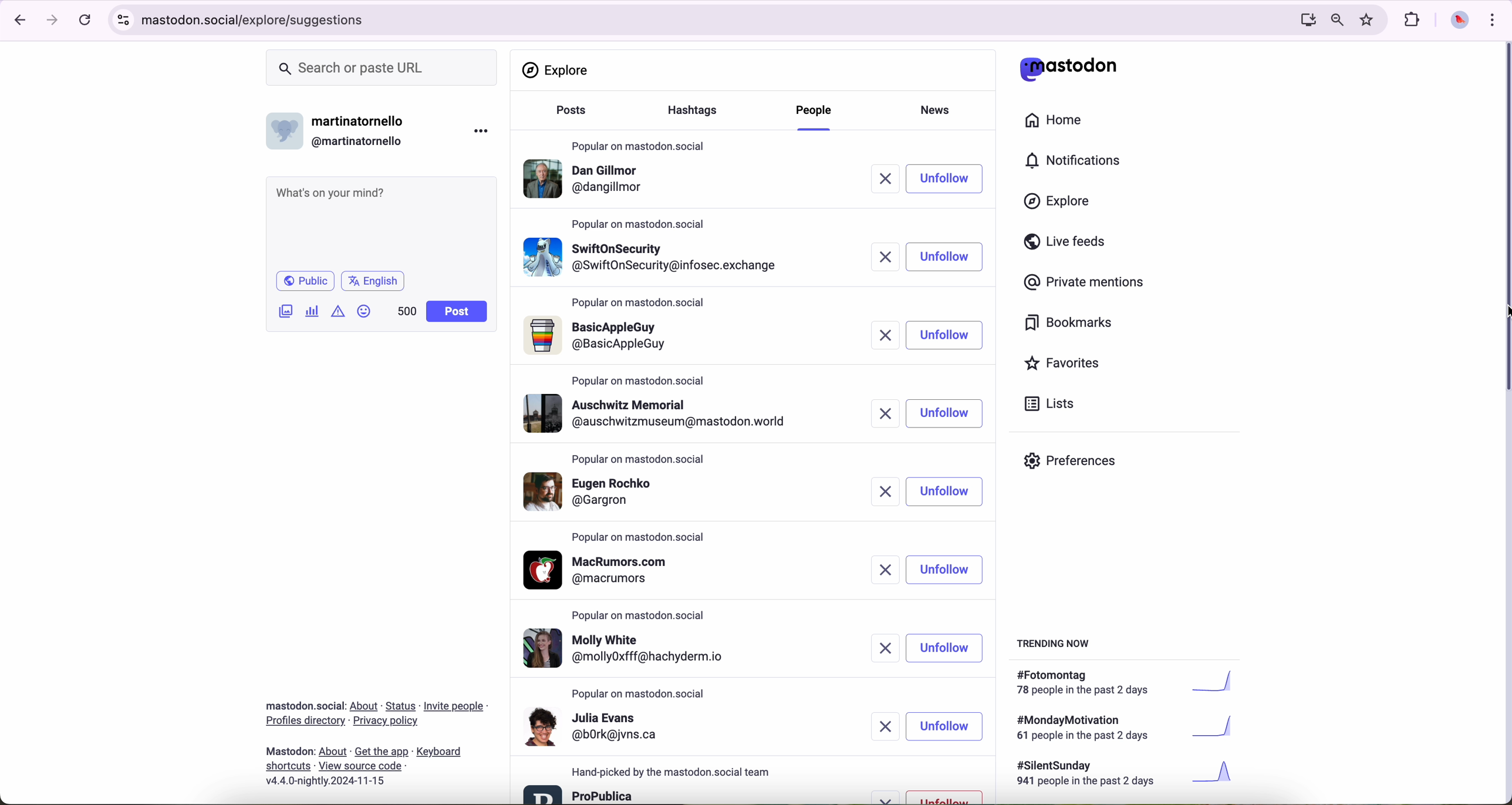 This screenshot has height=805, width=1512. I want to click on live feeds, so click(1069, 244).